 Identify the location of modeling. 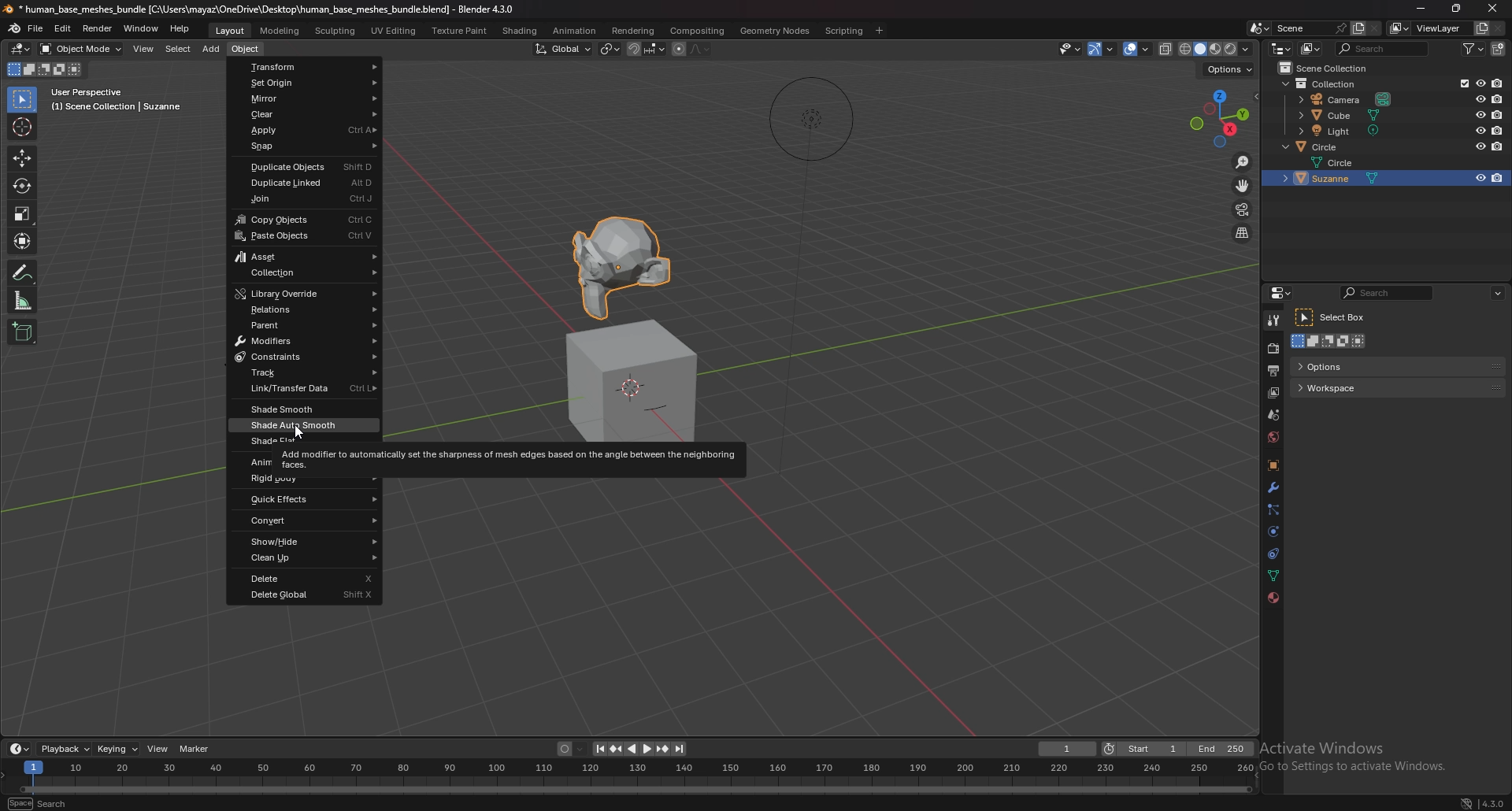
(281, 30).